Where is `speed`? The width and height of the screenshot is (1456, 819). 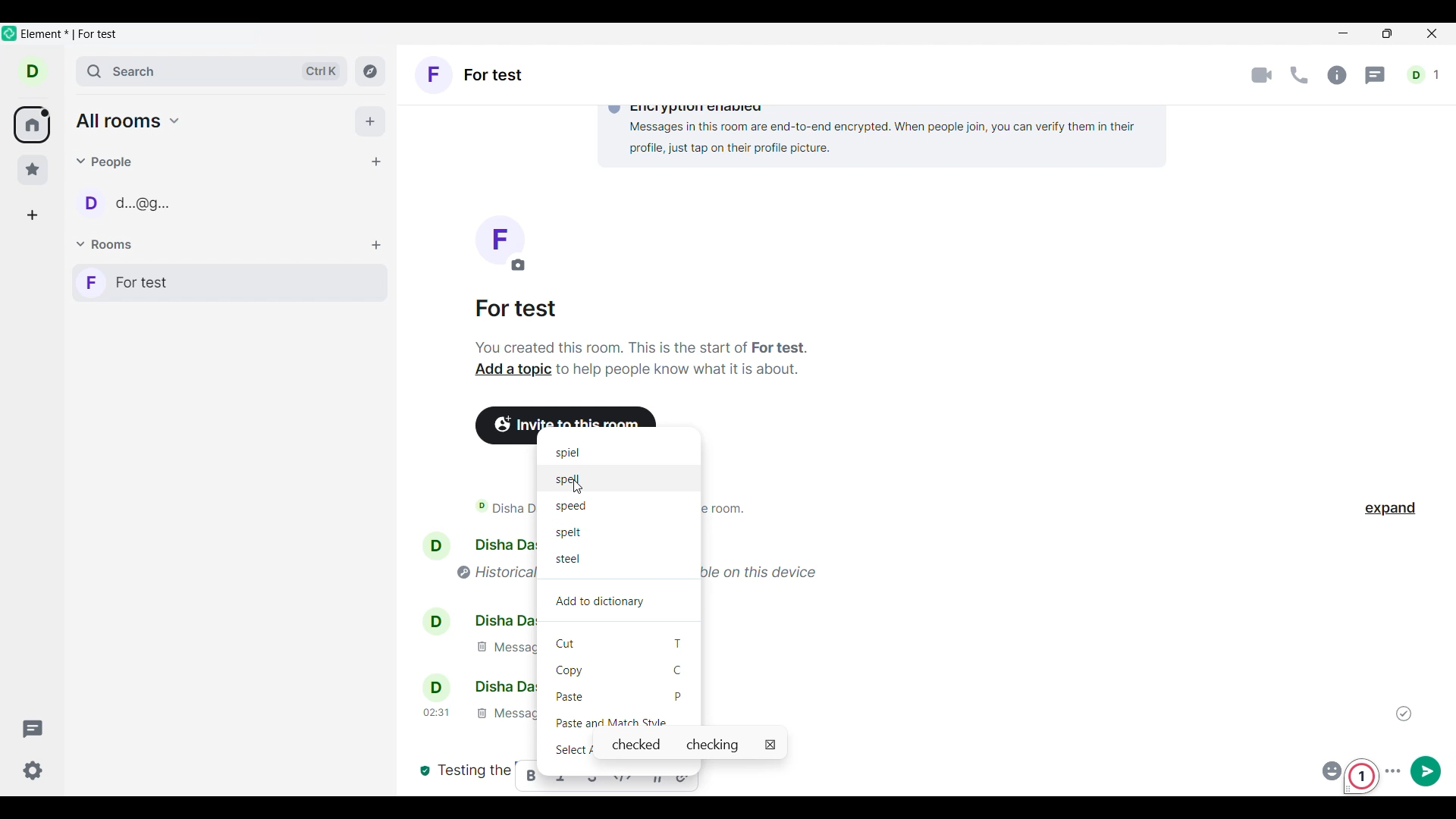 speed is located at coordinates (574, 509).